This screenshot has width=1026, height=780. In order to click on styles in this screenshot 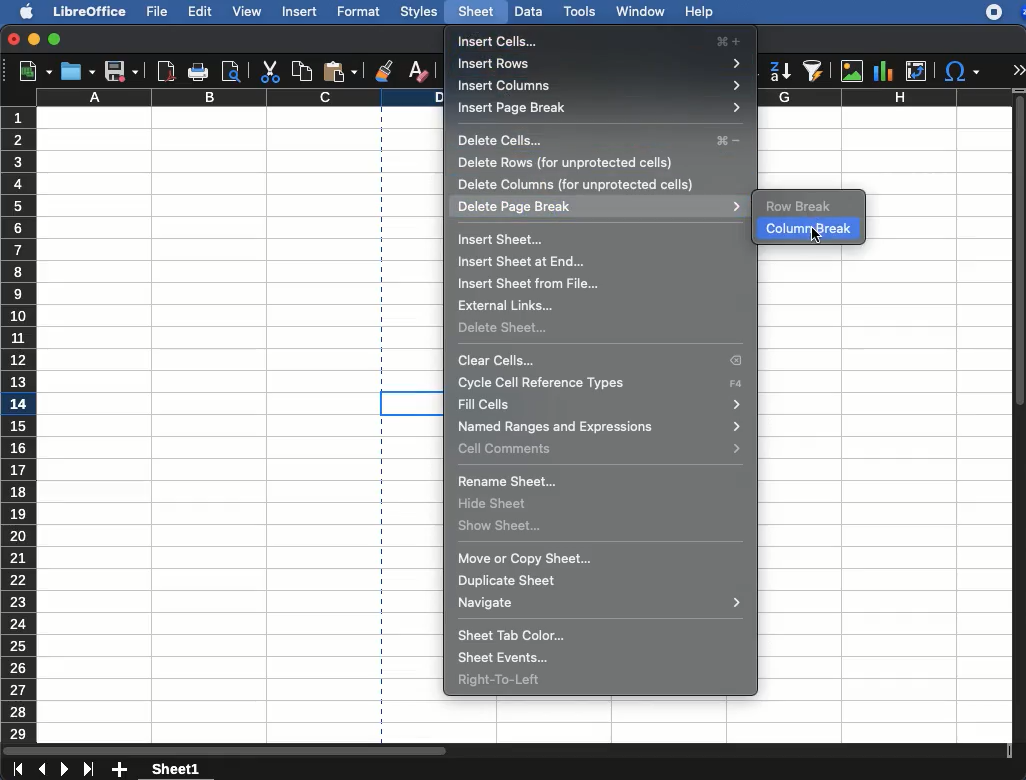, I will do `click(420, 11)`.